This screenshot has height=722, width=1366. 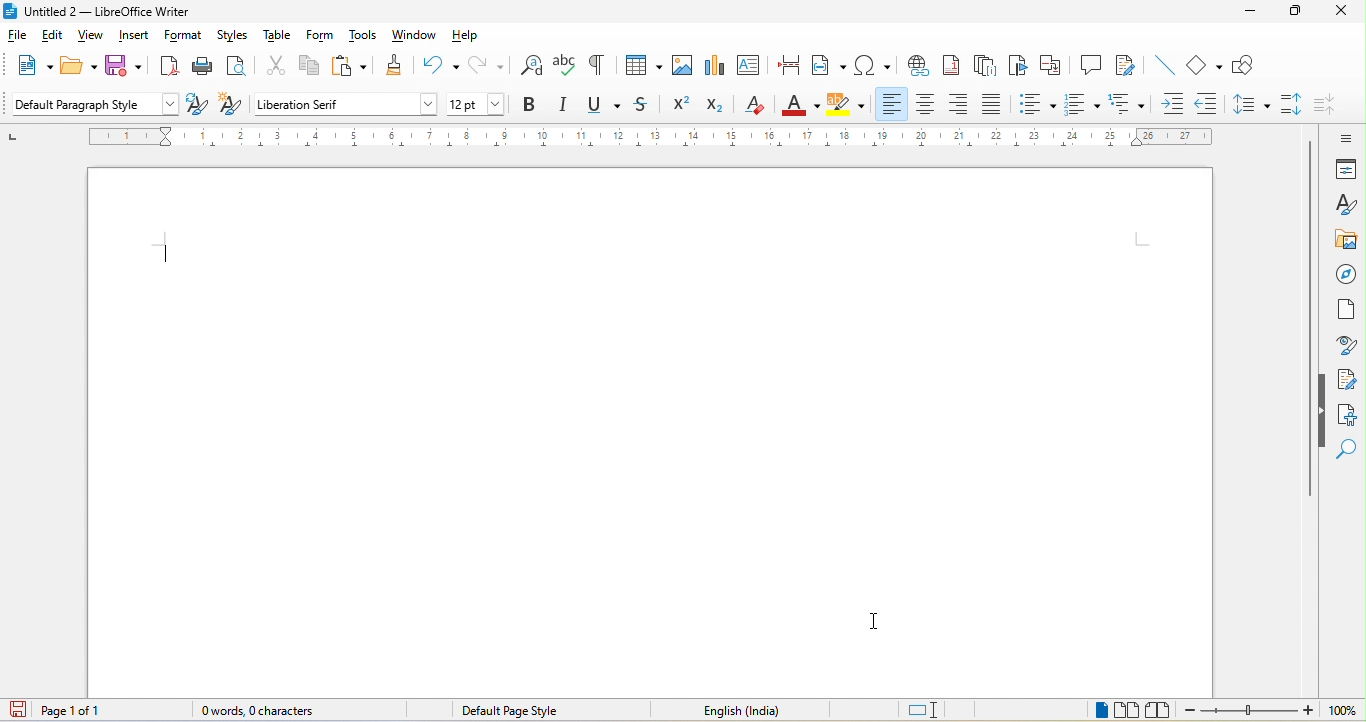 I want to click on open, so click(x=80, y=64).